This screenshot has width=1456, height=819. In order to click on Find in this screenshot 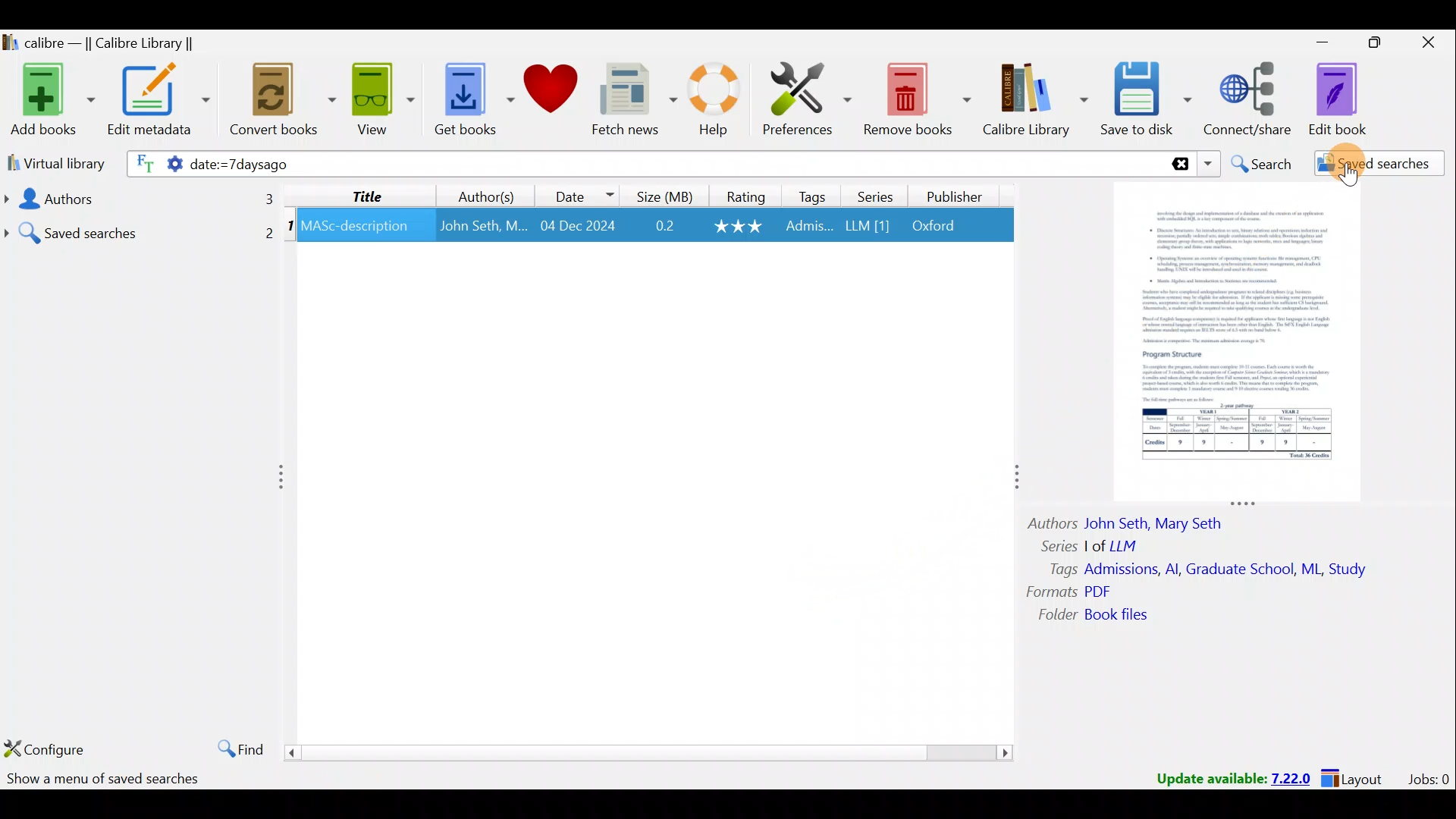, I will do `click(237, 746)`.